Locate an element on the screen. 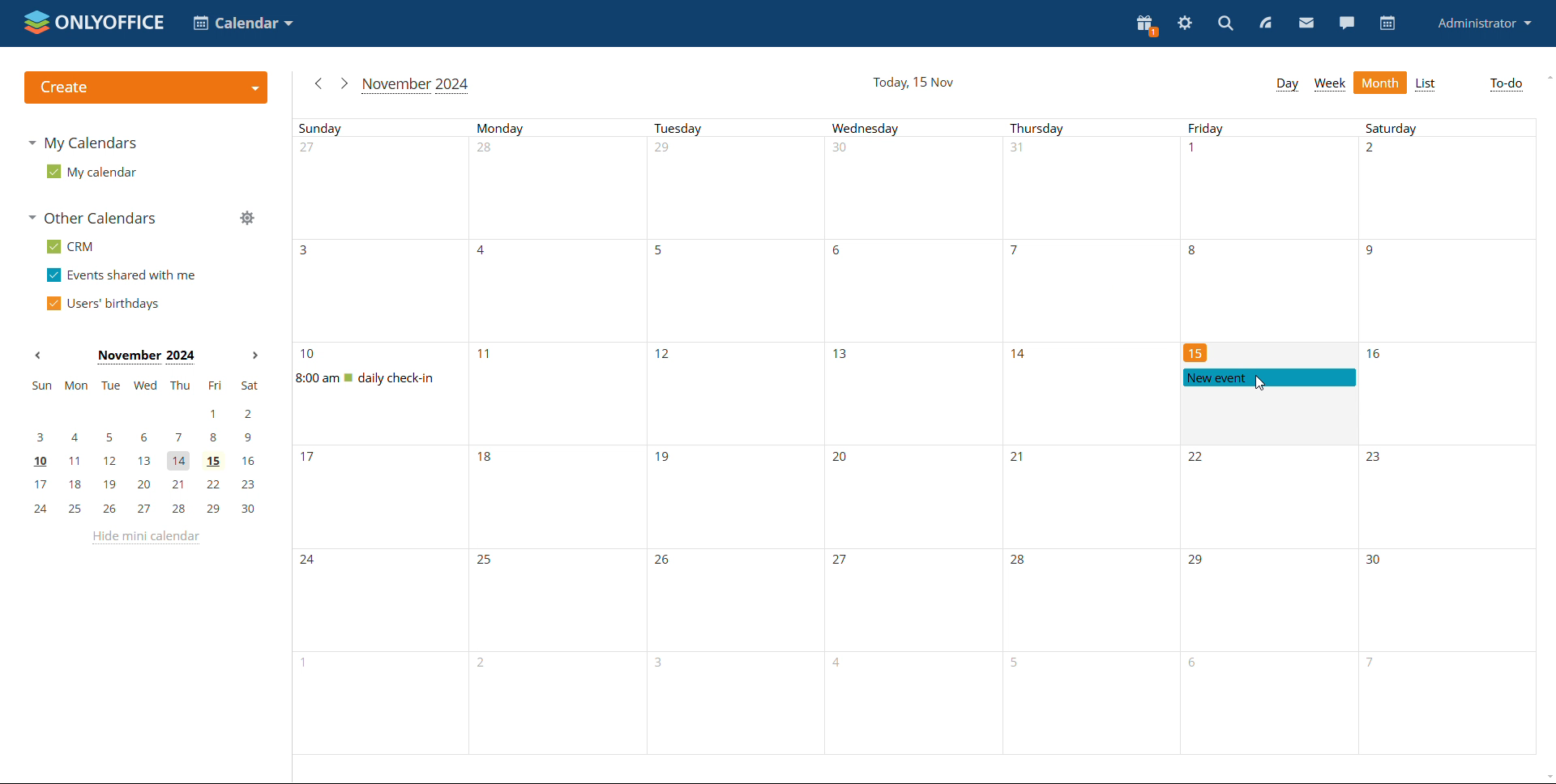 The image size is (1556, 784). Number is located at coordinates (310, 355).